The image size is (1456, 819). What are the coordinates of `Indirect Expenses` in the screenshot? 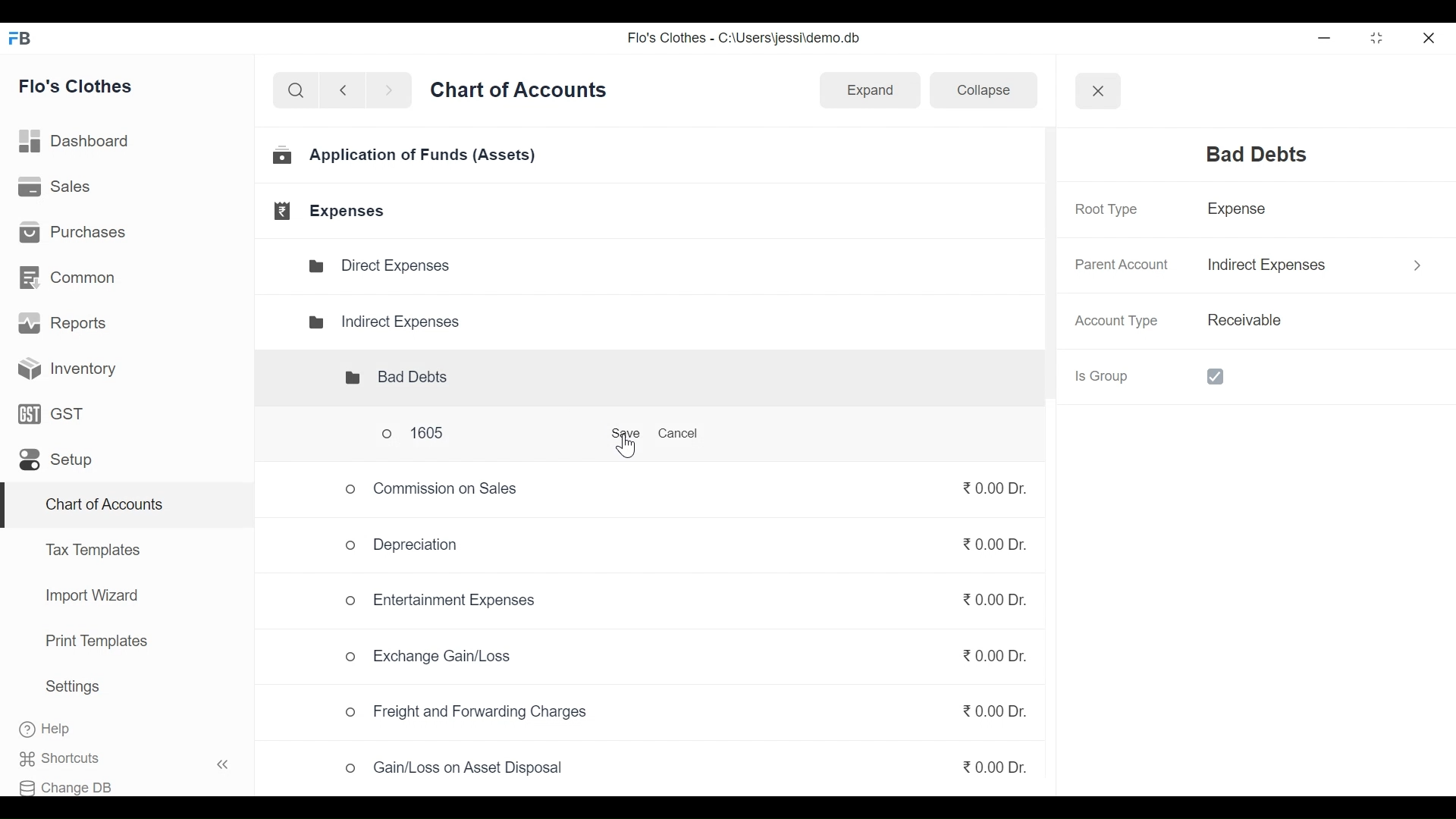 It's located at (384, 320).